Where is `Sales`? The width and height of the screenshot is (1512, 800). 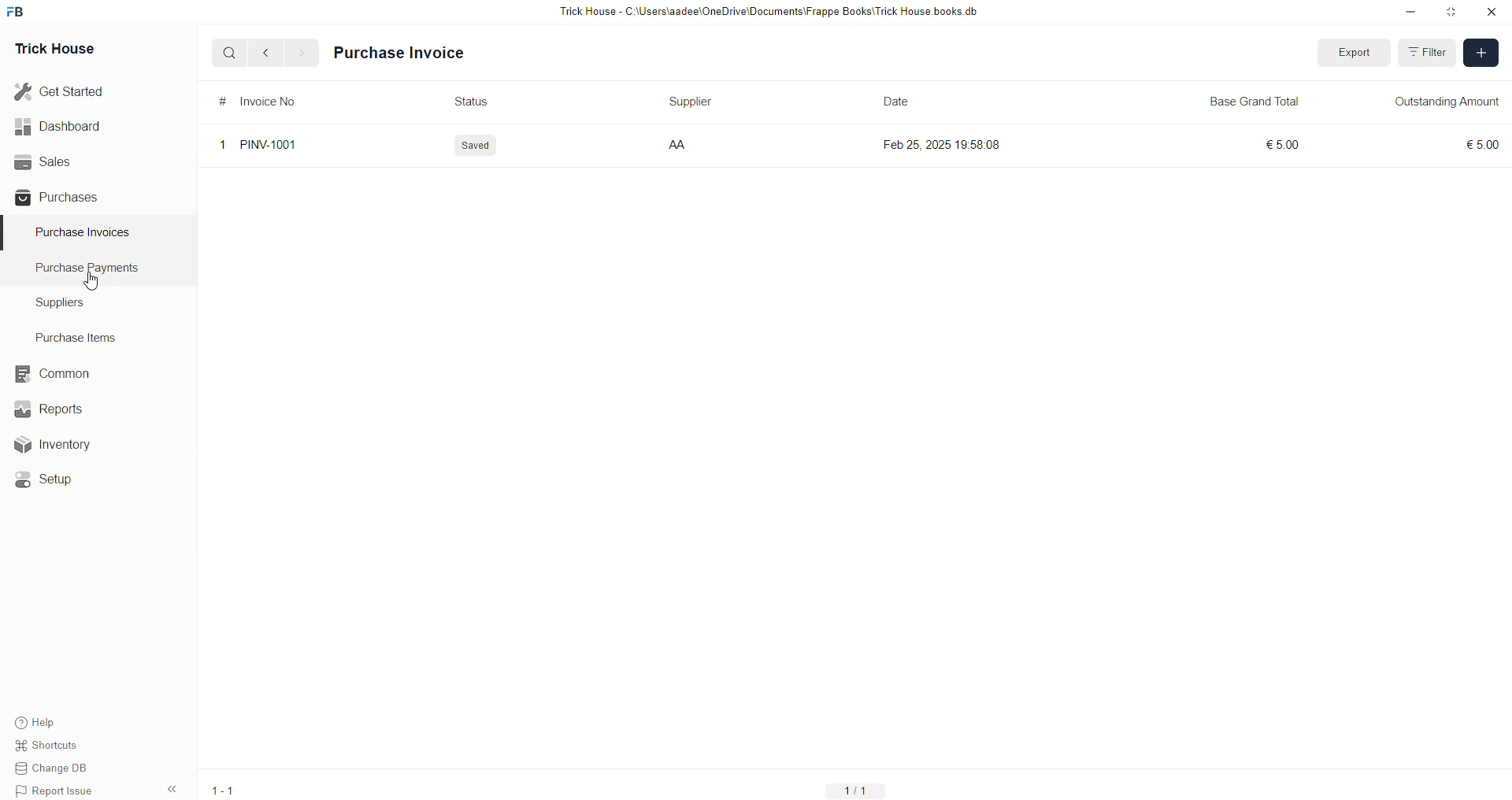 Sales is located at coordinates (41, 160).